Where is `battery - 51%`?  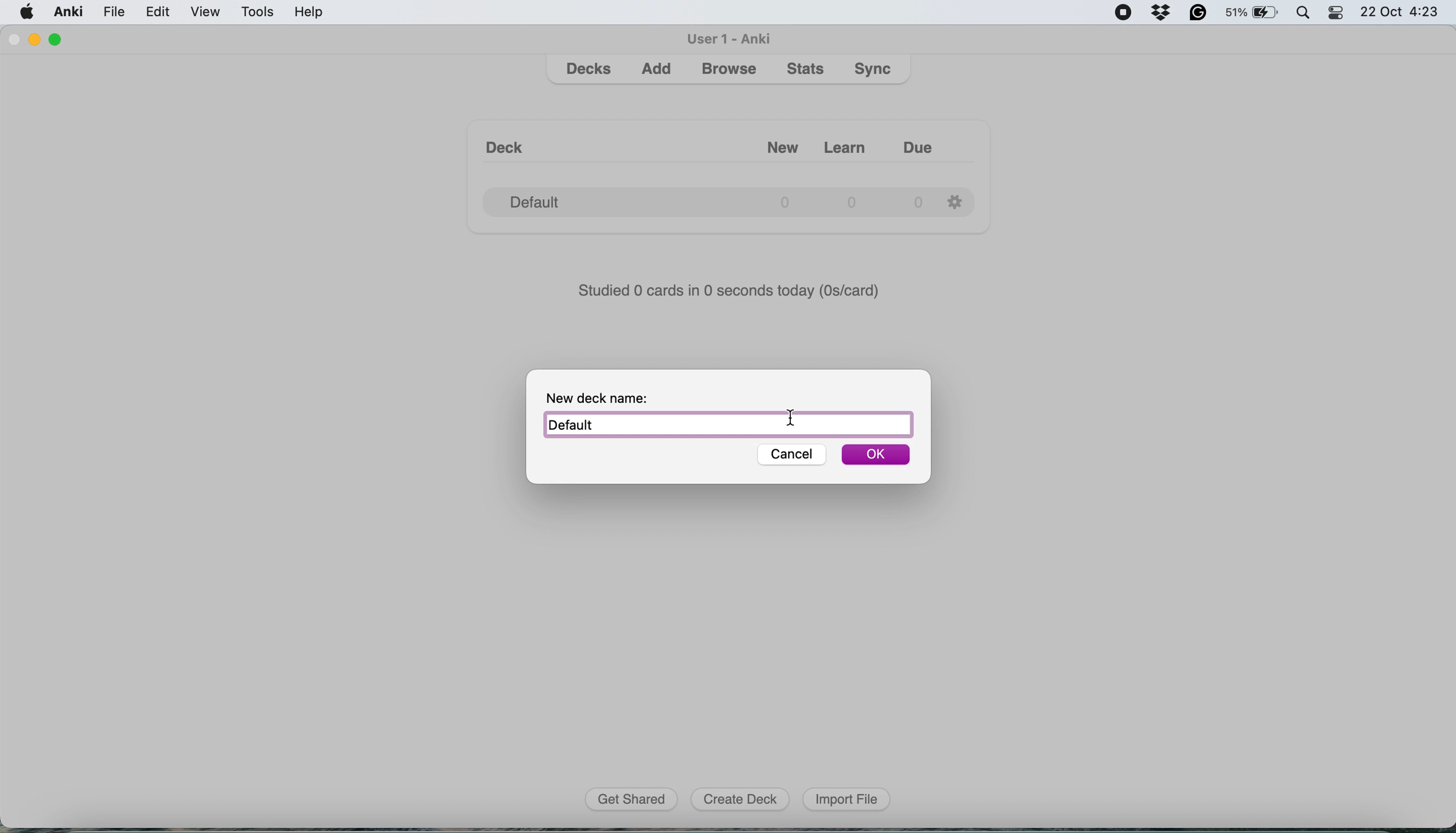 battery - 51% is located at coordinates (1251, 14).